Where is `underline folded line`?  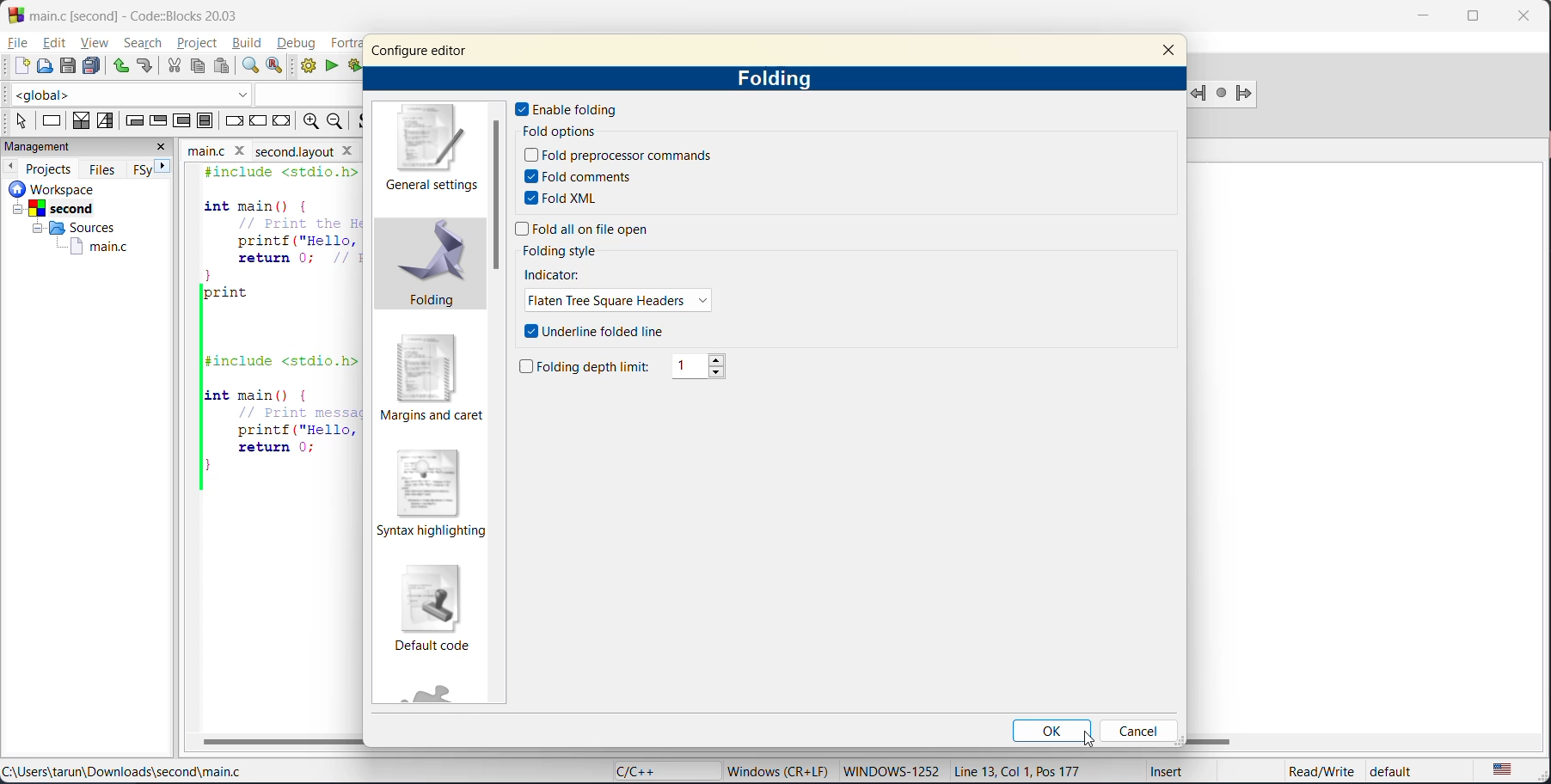 underline folded line is located at coordinates (598, 331).